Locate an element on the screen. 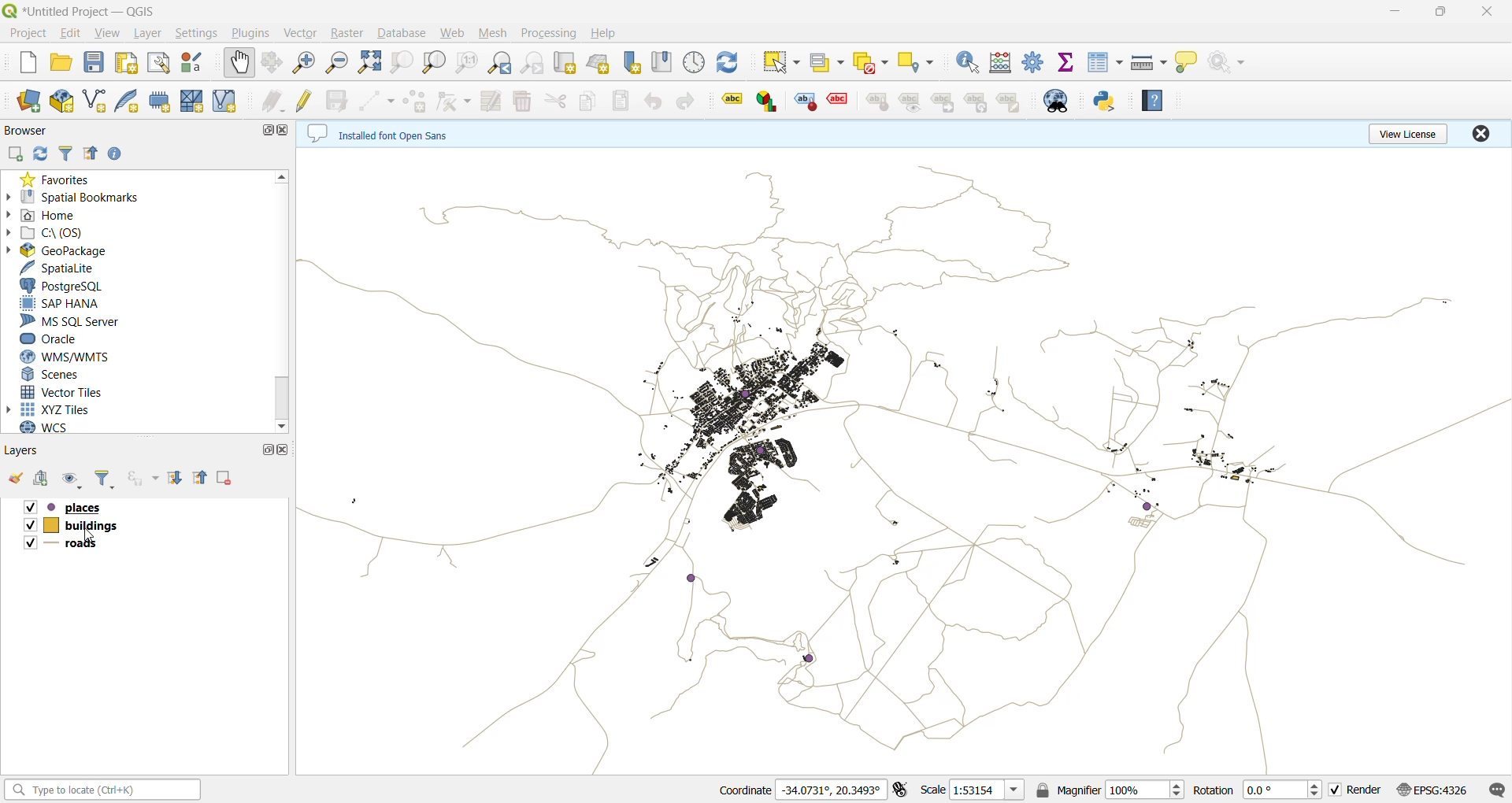  pointer is located at coordinates (96, 533).